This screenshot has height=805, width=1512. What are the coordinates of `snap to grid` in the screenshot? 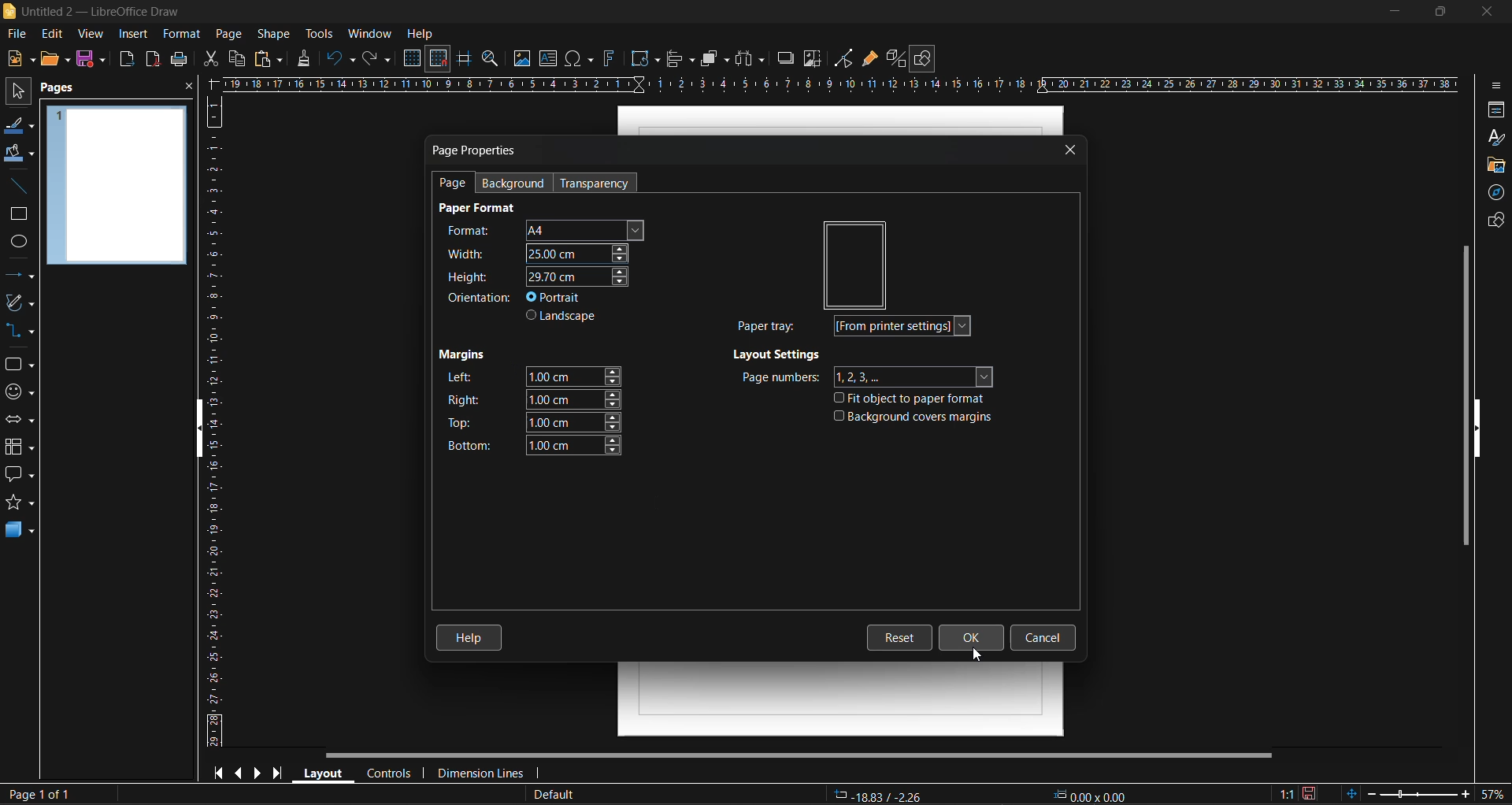 It's located at (438, 58).